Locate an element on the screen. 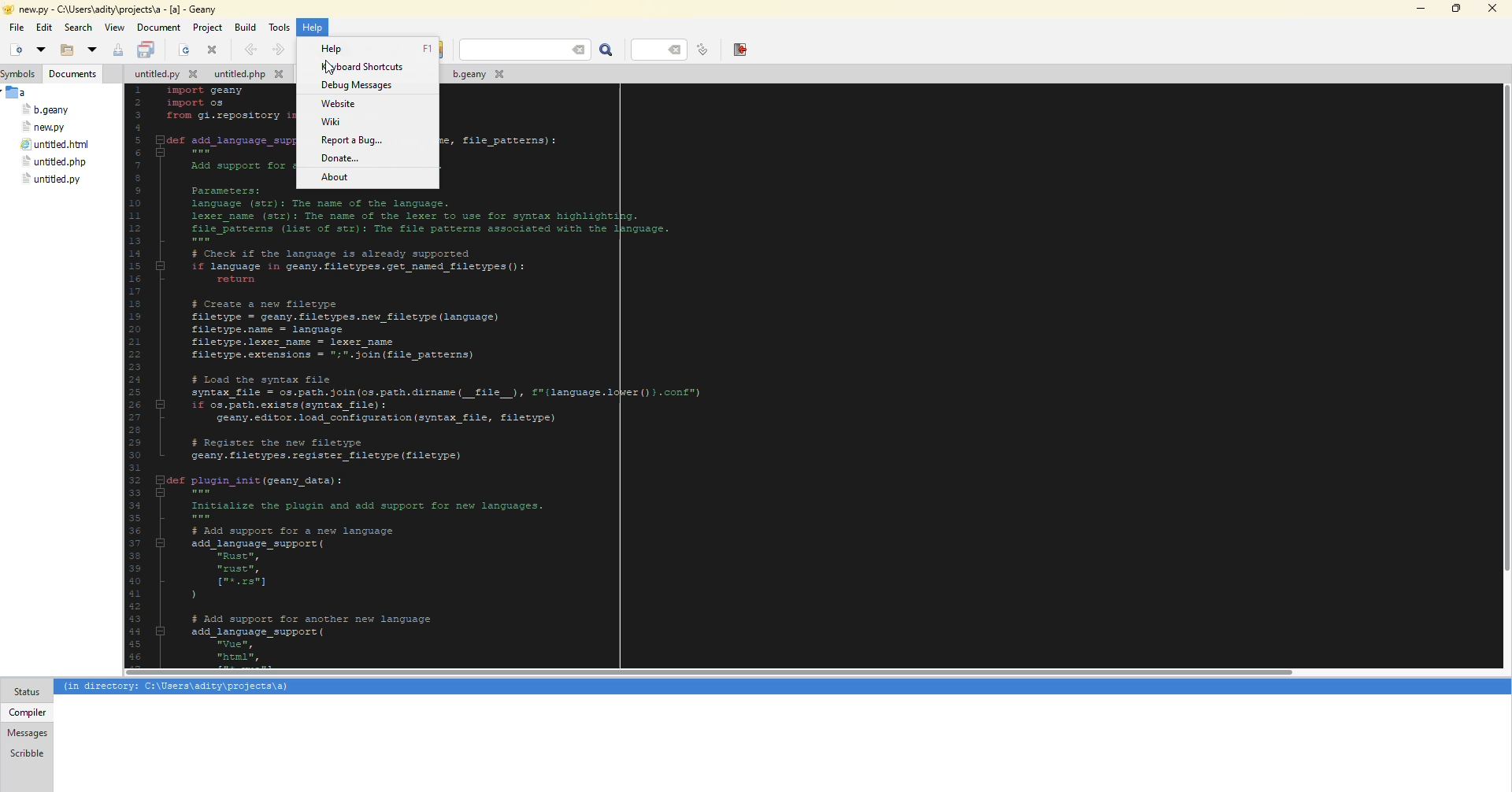 The image size is (1512, 792). documents is located at coordinates (74, 74).